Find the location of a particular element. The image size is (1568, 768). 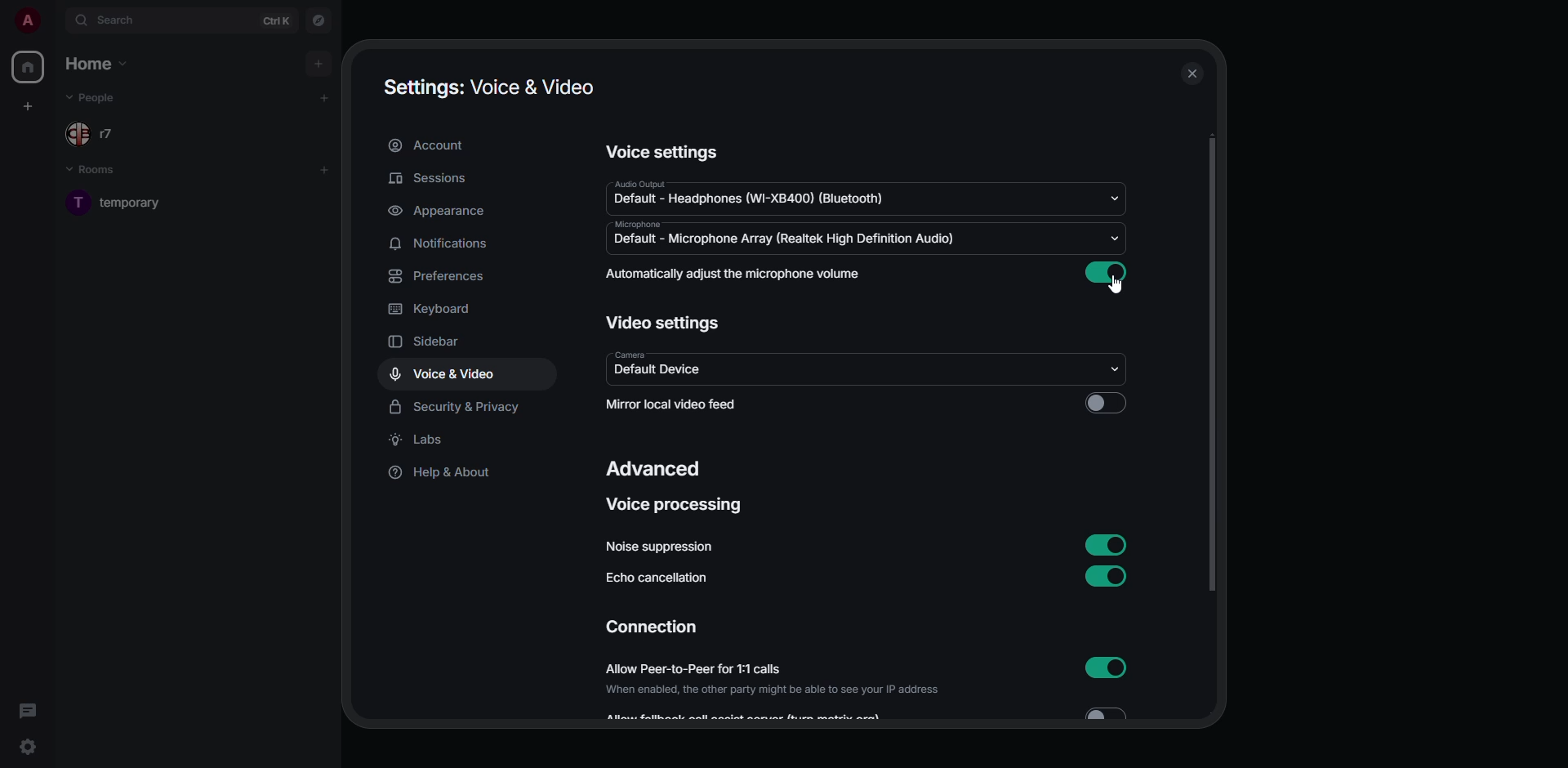

microphone is located at coordinates (786, 236).